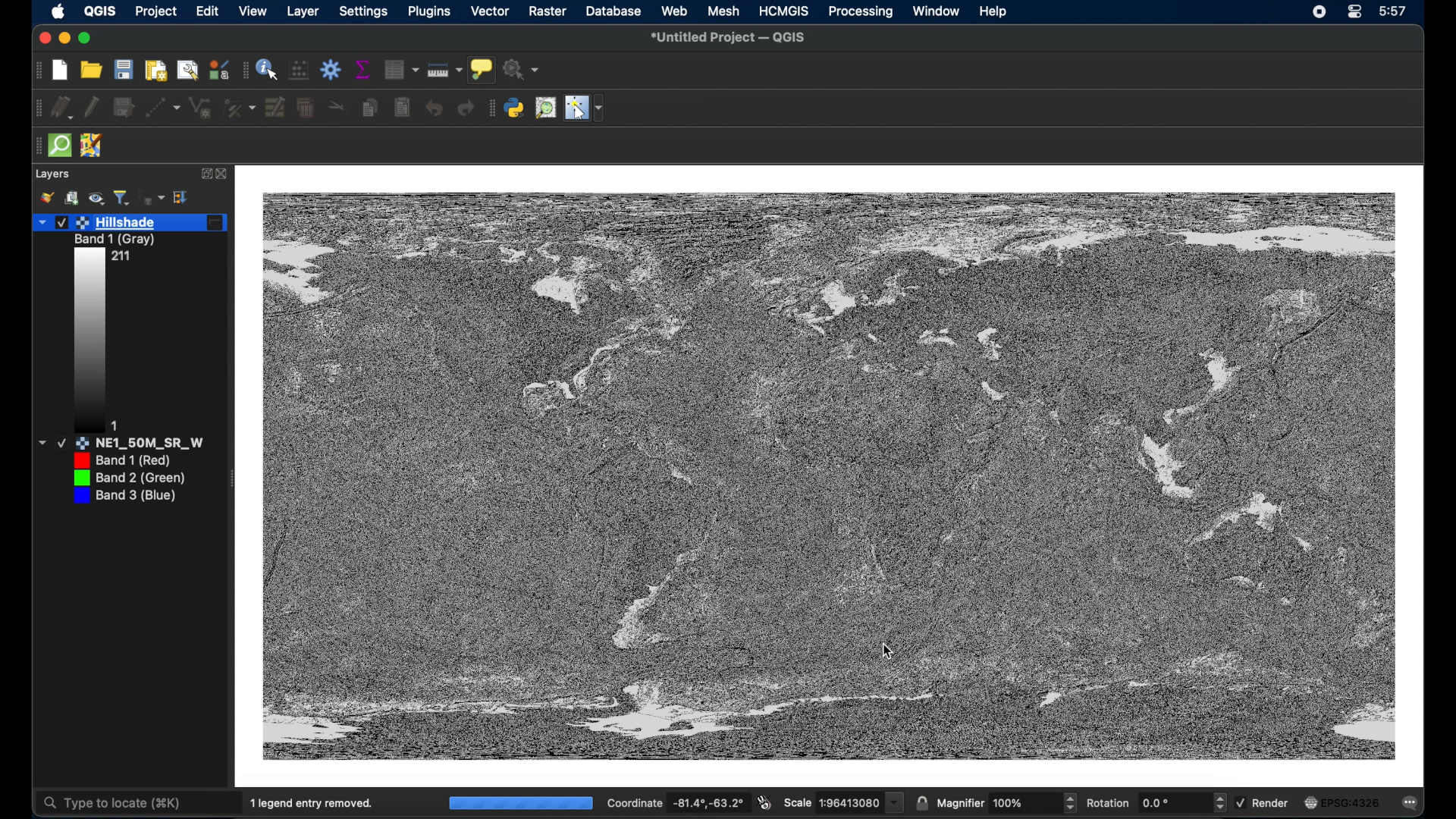 The height and width of the screenshot is (819, 1456). Describe the element at coordinates (401, 106) in the screenshot. I see `paste features` at that location.